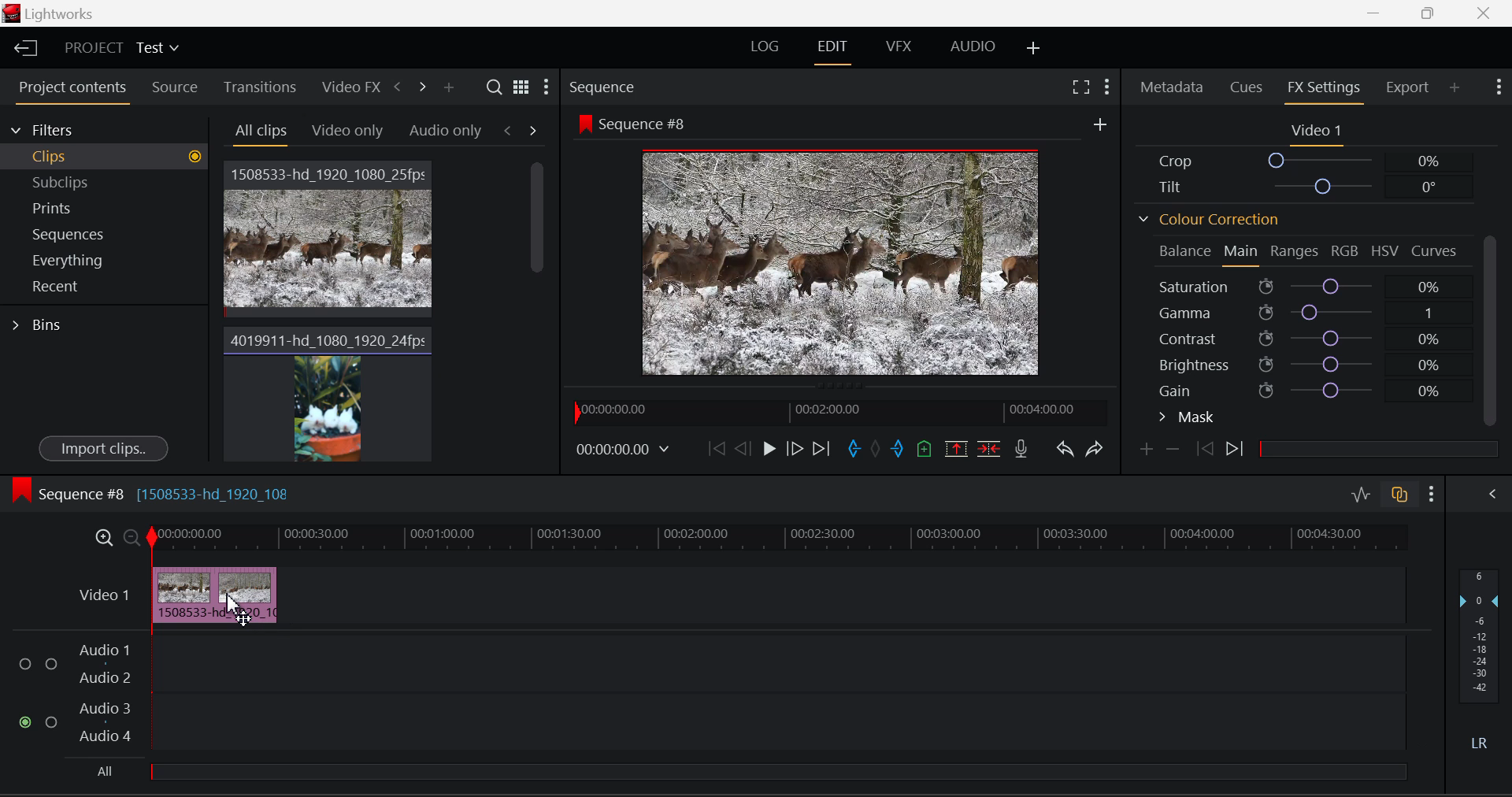 This screenshot has width=1512, height=797. Describe the element at coordinates (410, 87) in the screenshot. I see `Move Across Tabs` at that location.